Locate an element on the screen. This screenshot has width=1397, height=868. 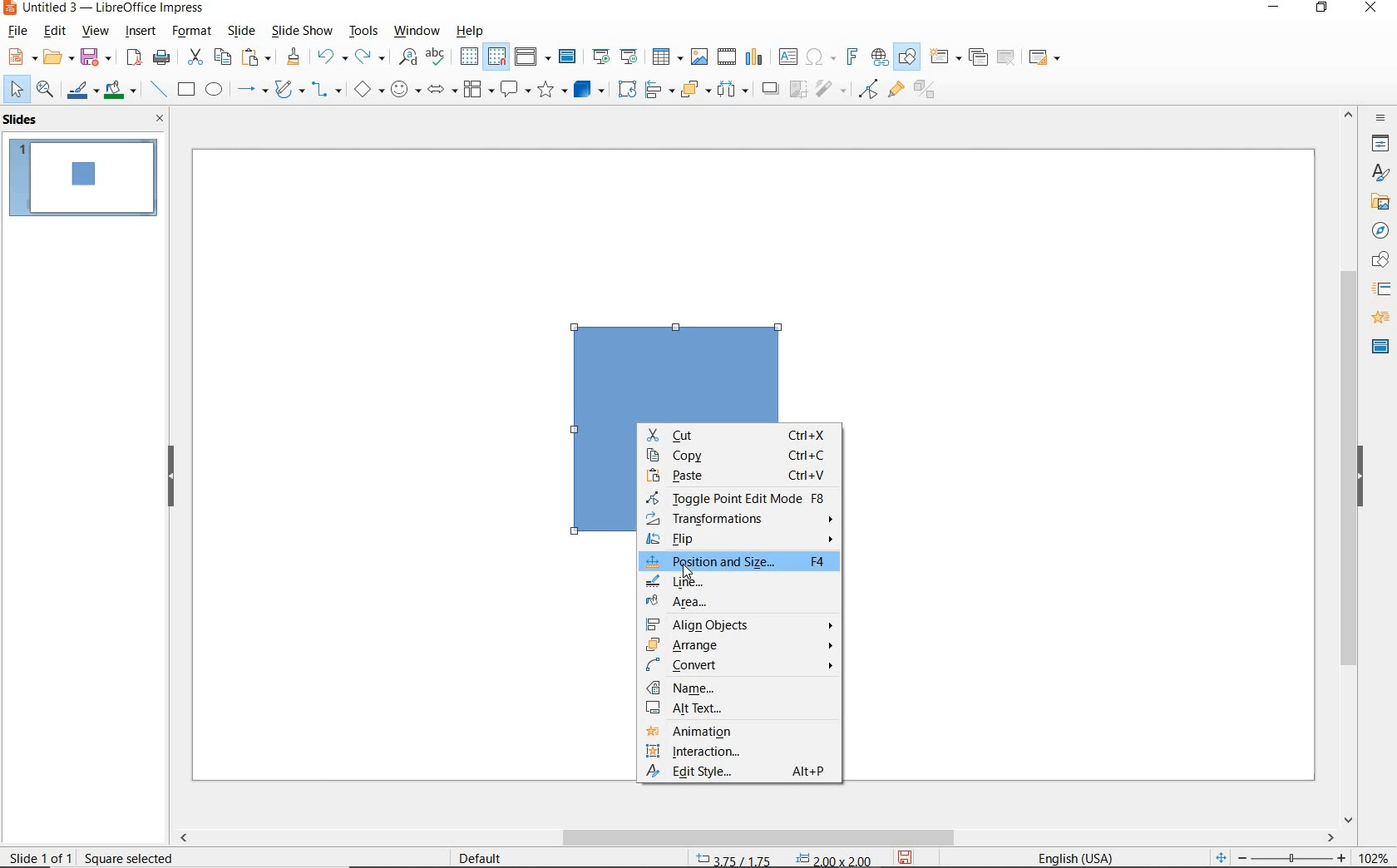
paste is located at coordinates (254, 59).